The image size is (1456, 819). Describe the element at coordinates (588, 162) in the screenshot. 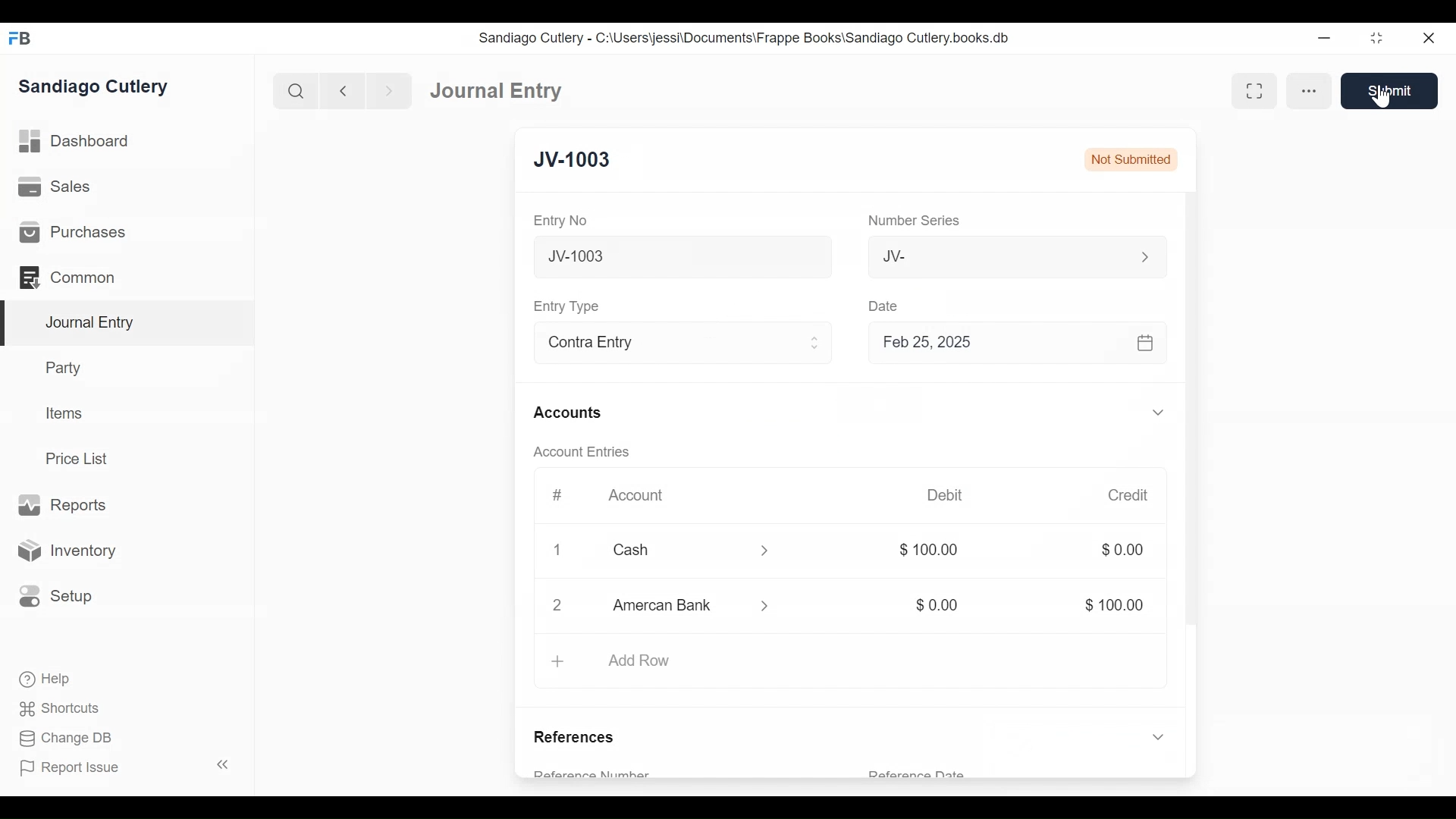

I see `New Entry` at that location.